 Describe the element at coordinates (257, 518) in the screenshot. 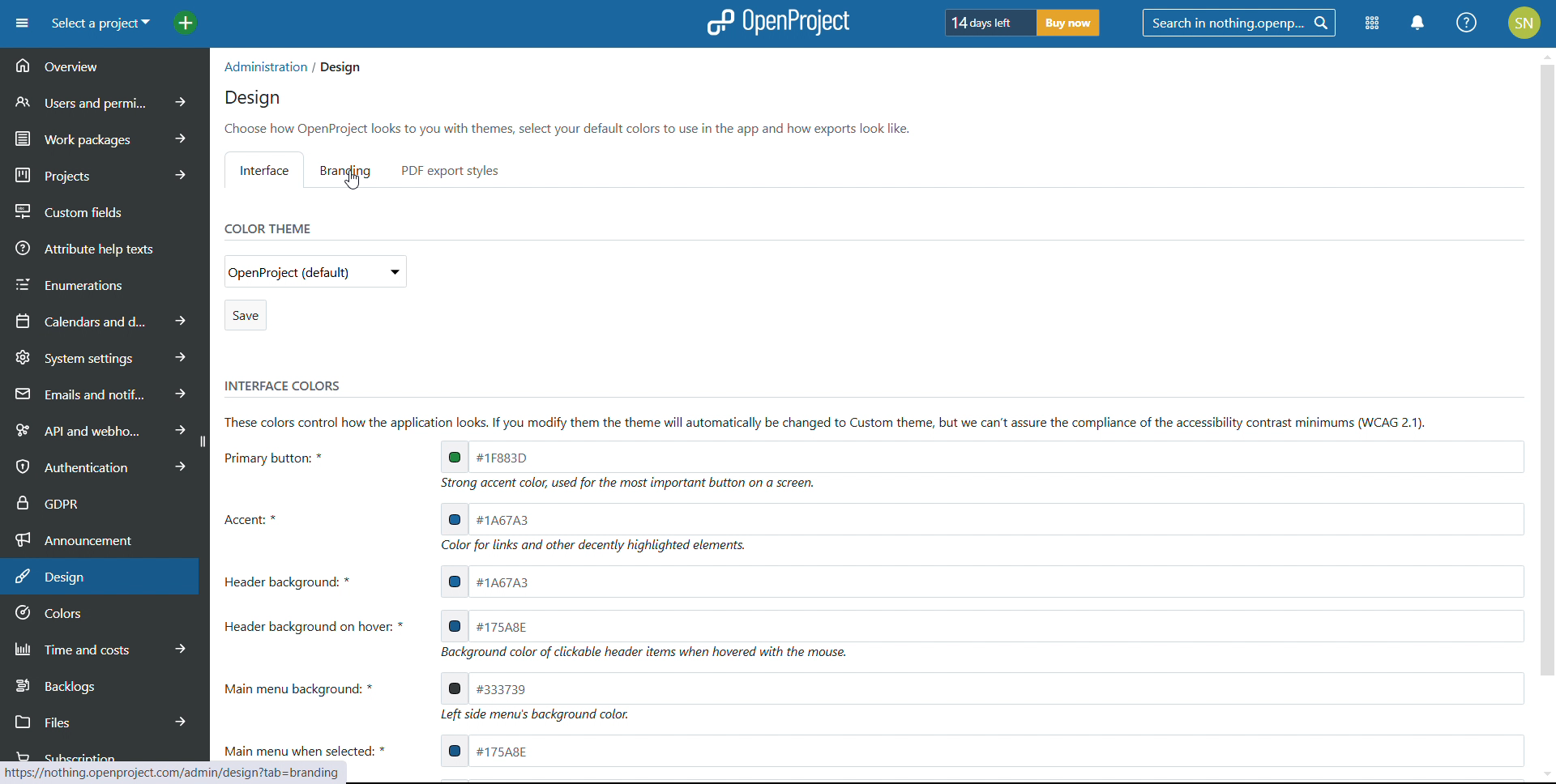

I see `Accent*` at that location.